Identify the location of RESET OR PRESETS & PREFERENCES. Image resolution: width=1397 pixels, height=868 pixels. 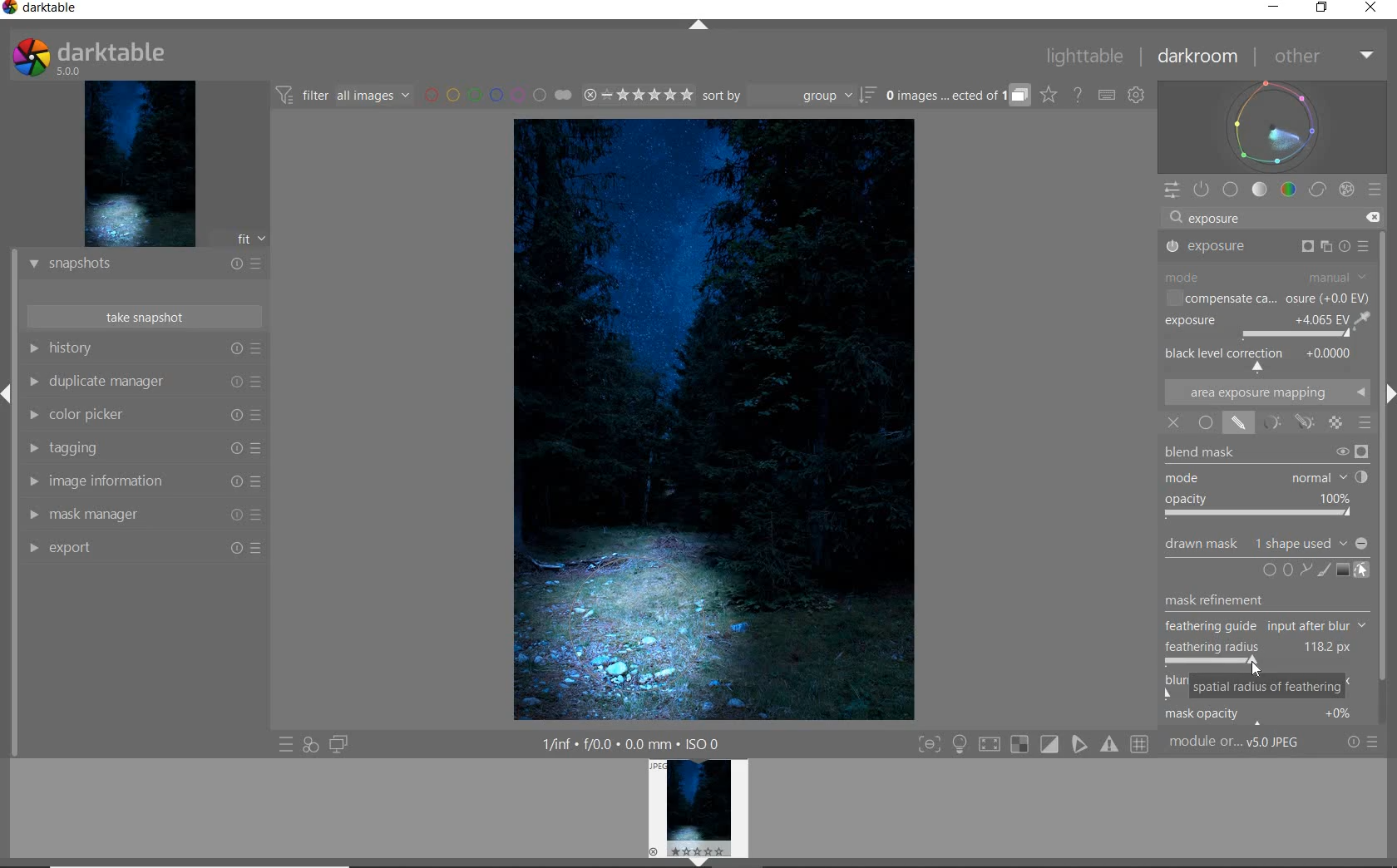
(1364, 742).